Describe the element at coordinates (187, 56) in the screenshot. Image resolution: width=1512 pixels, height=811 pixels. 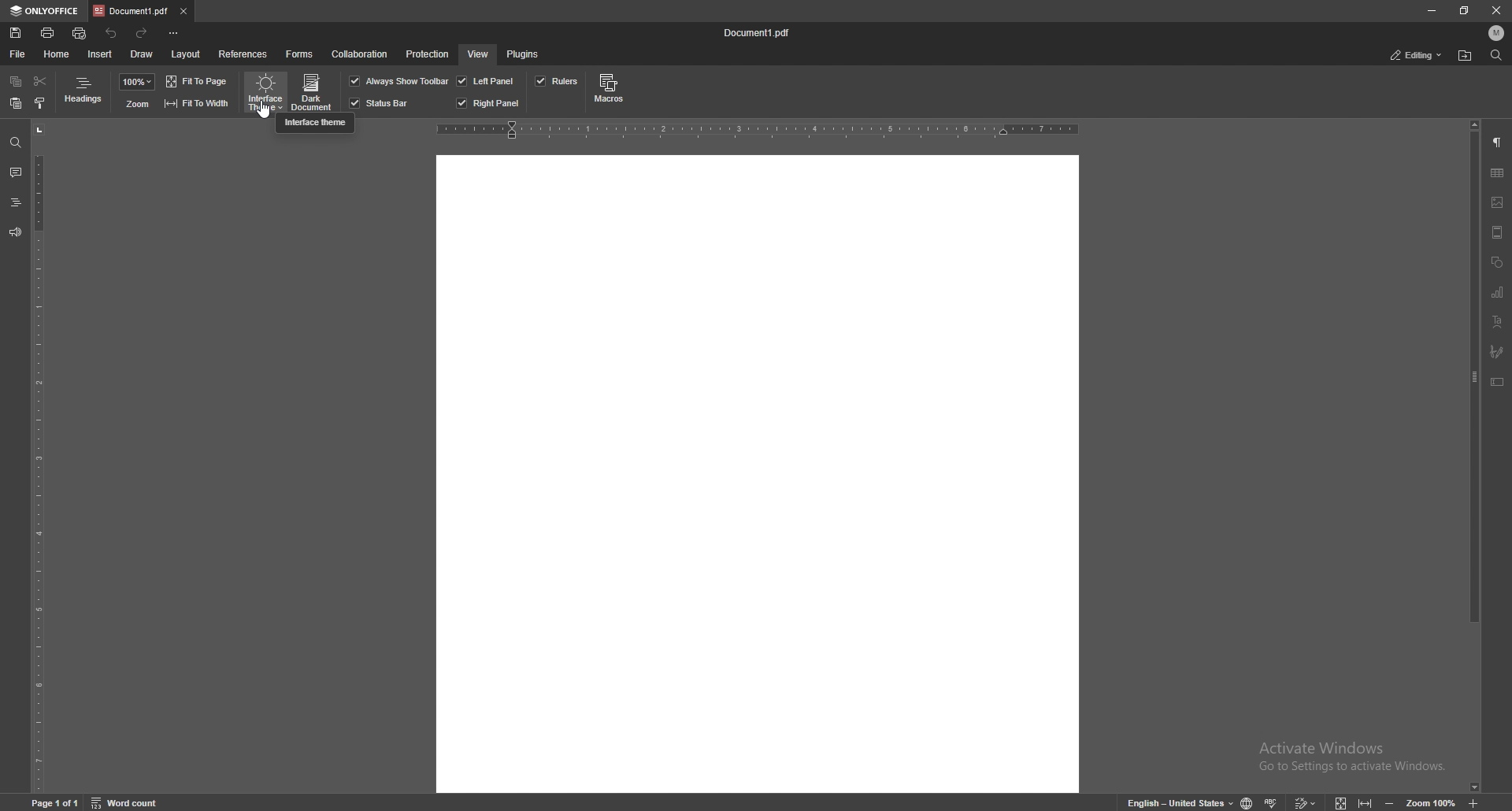
I see `layout` at that location.